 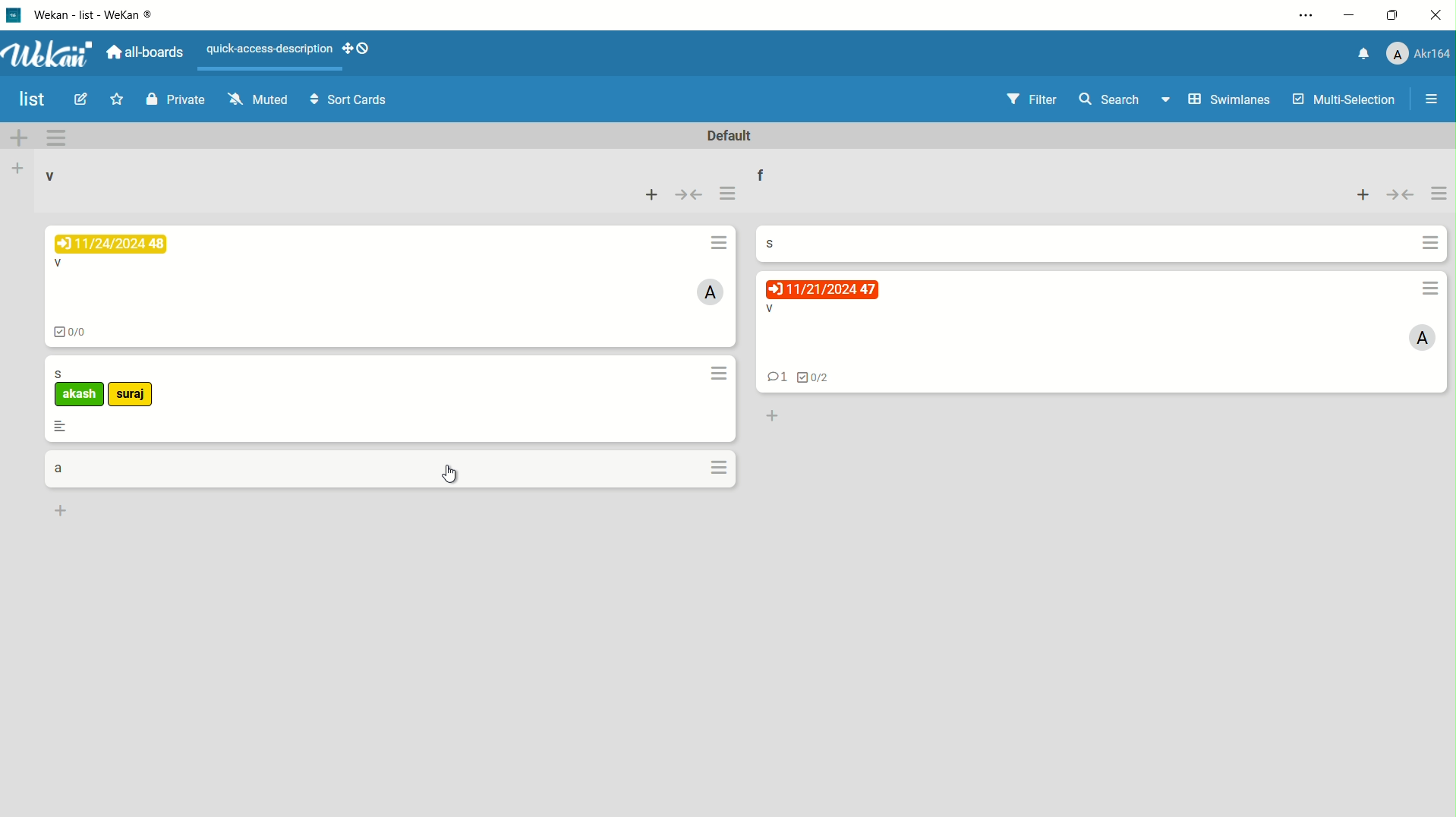 What do you see at coordinates (61, 427) in the screenshot?
I see `description` at bounding box center [61, 427].